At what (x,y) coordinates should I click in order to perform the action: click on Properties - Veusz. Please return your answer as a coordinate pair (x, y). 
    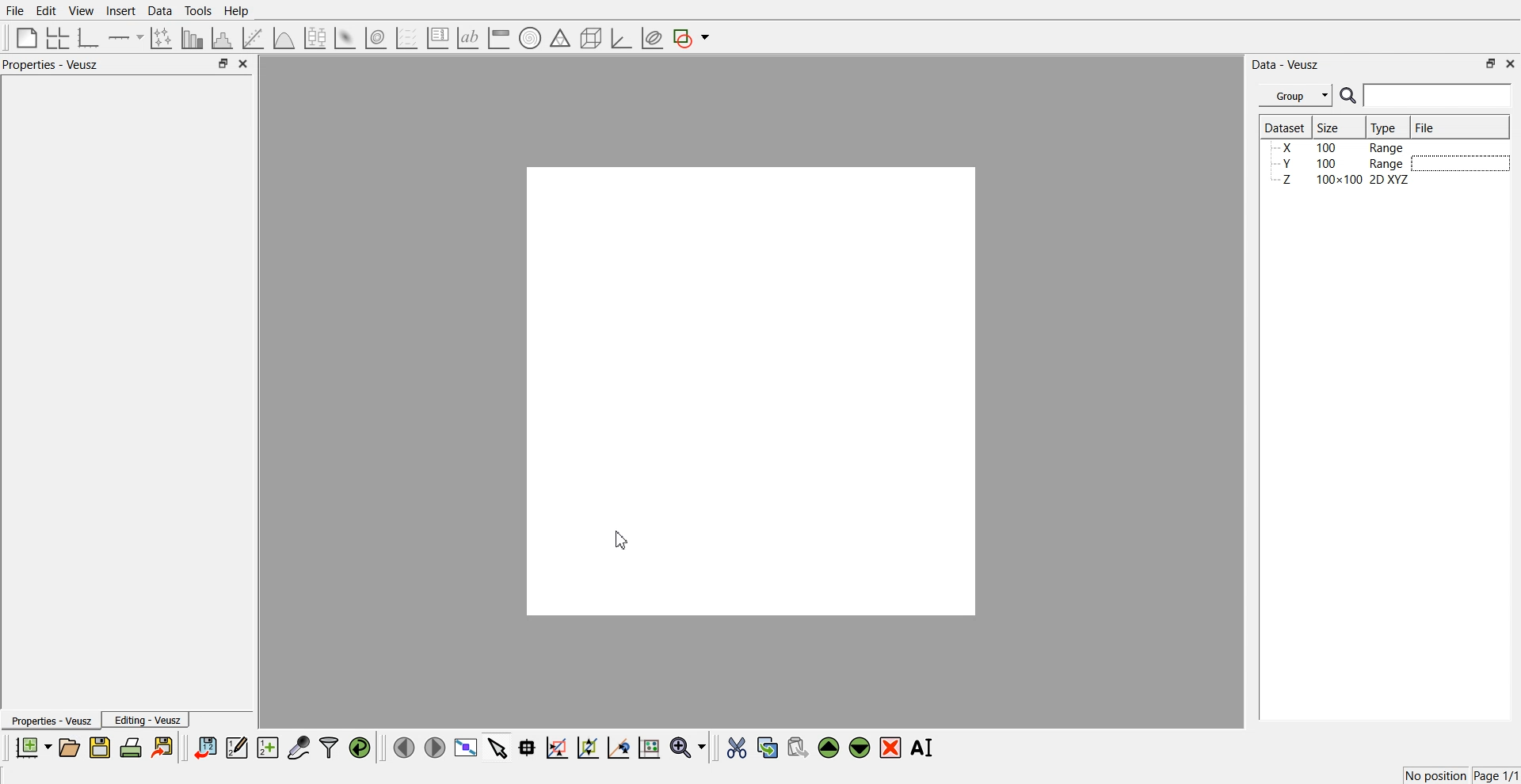
    Looking at the image, I should click on (51, 64).